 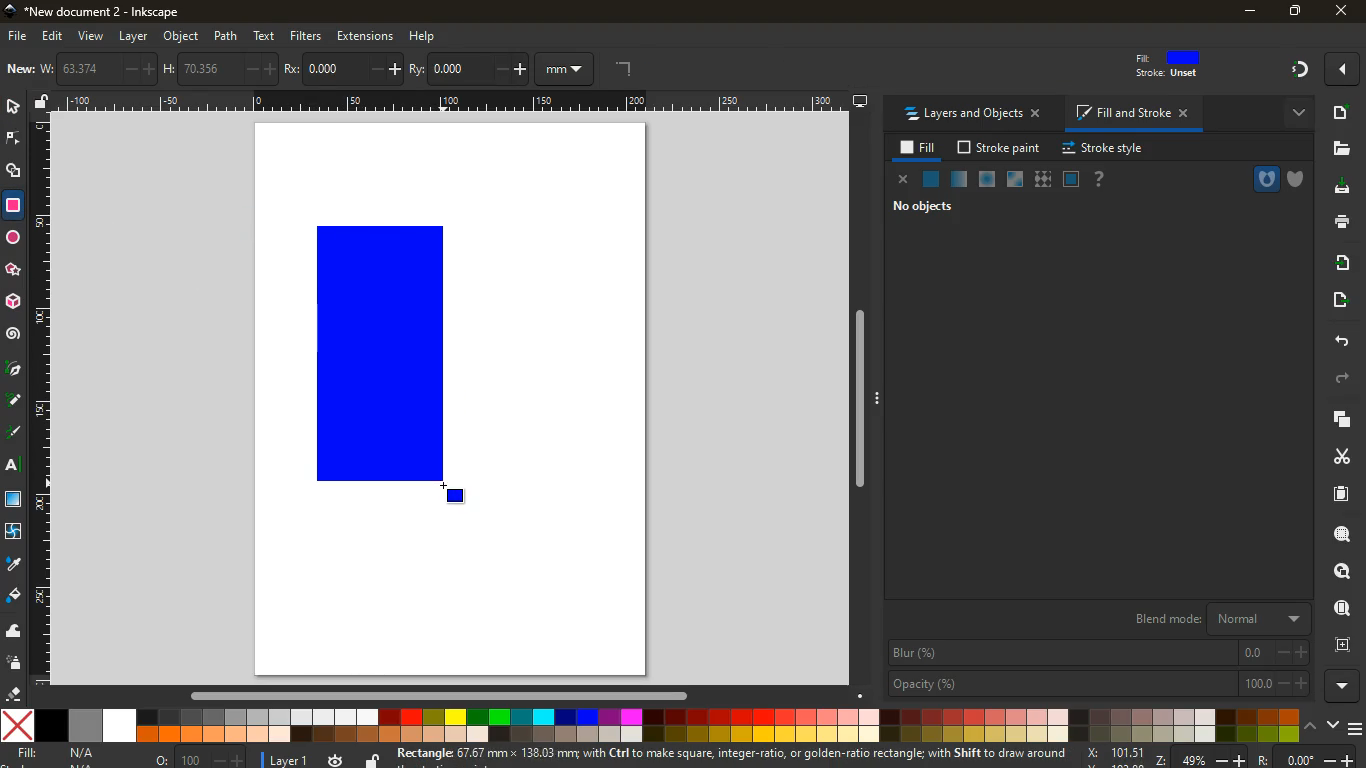 I want to click on filters, so click(x=306, y=37).